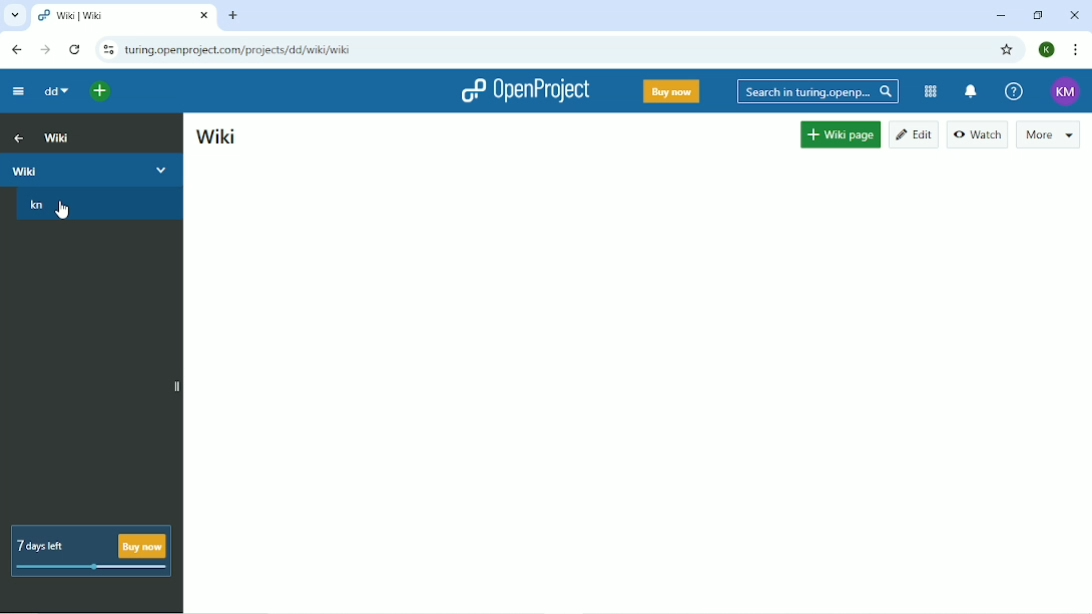 The width and height of the screenshot is (1092, 614). Describe the element at coordinates (62, 211) in the screenshot. I see `cursor` at that location.